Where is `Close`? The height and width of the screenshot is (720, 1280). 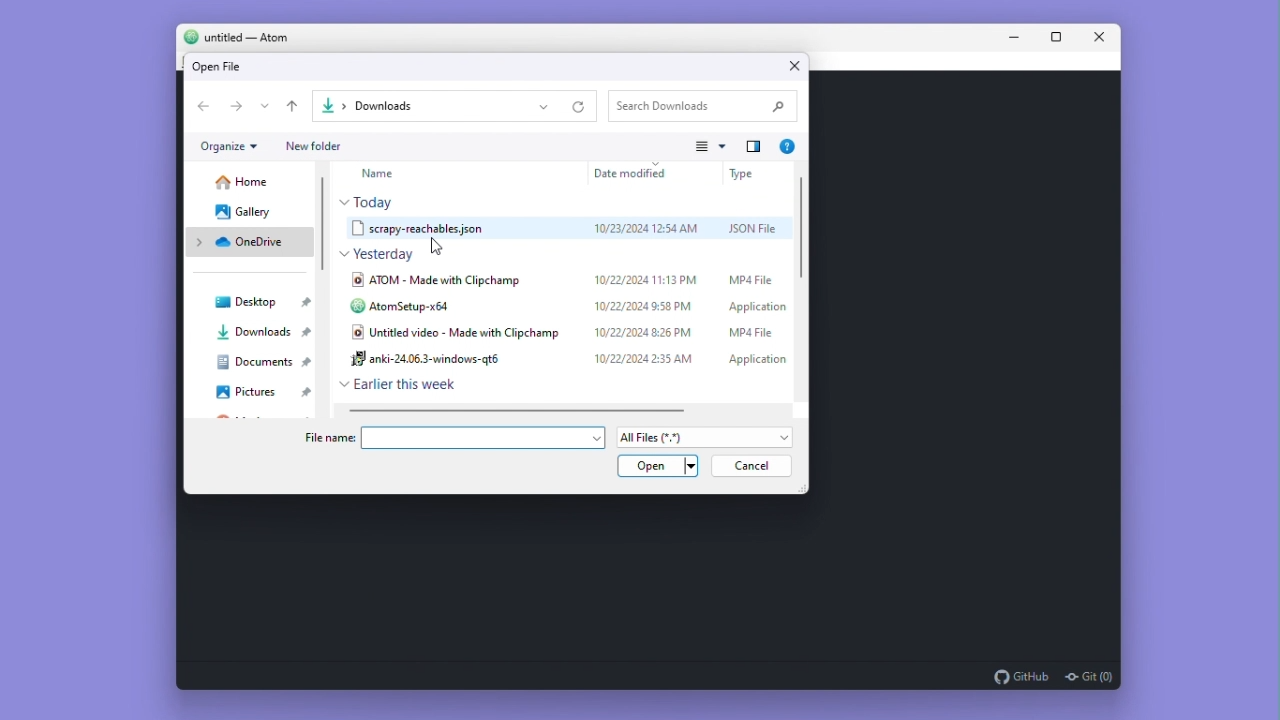
Close is located at coordinates (795, 66).